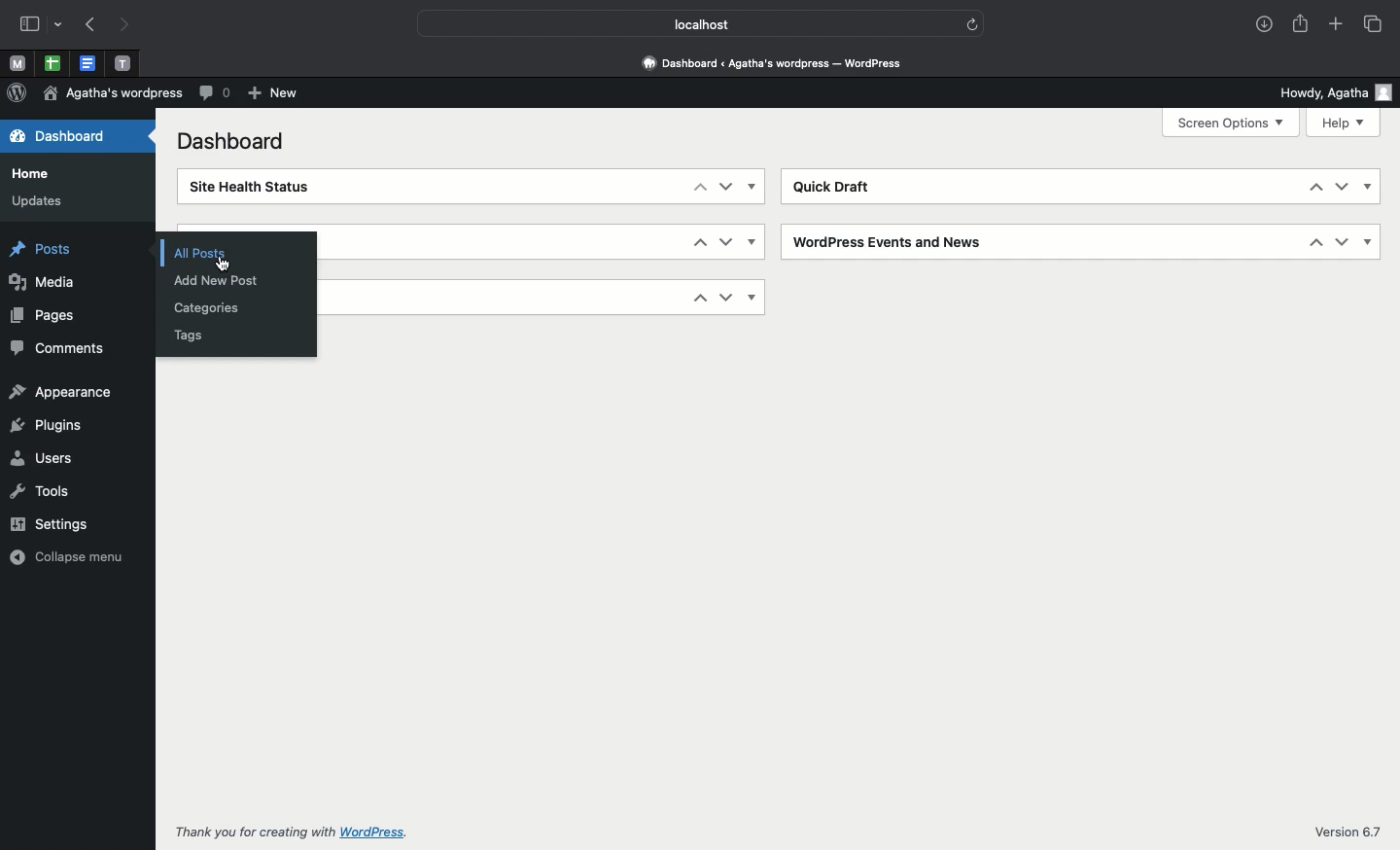 The image size is (1400, 850). I want to click on Dashboard, so click(227, 143).